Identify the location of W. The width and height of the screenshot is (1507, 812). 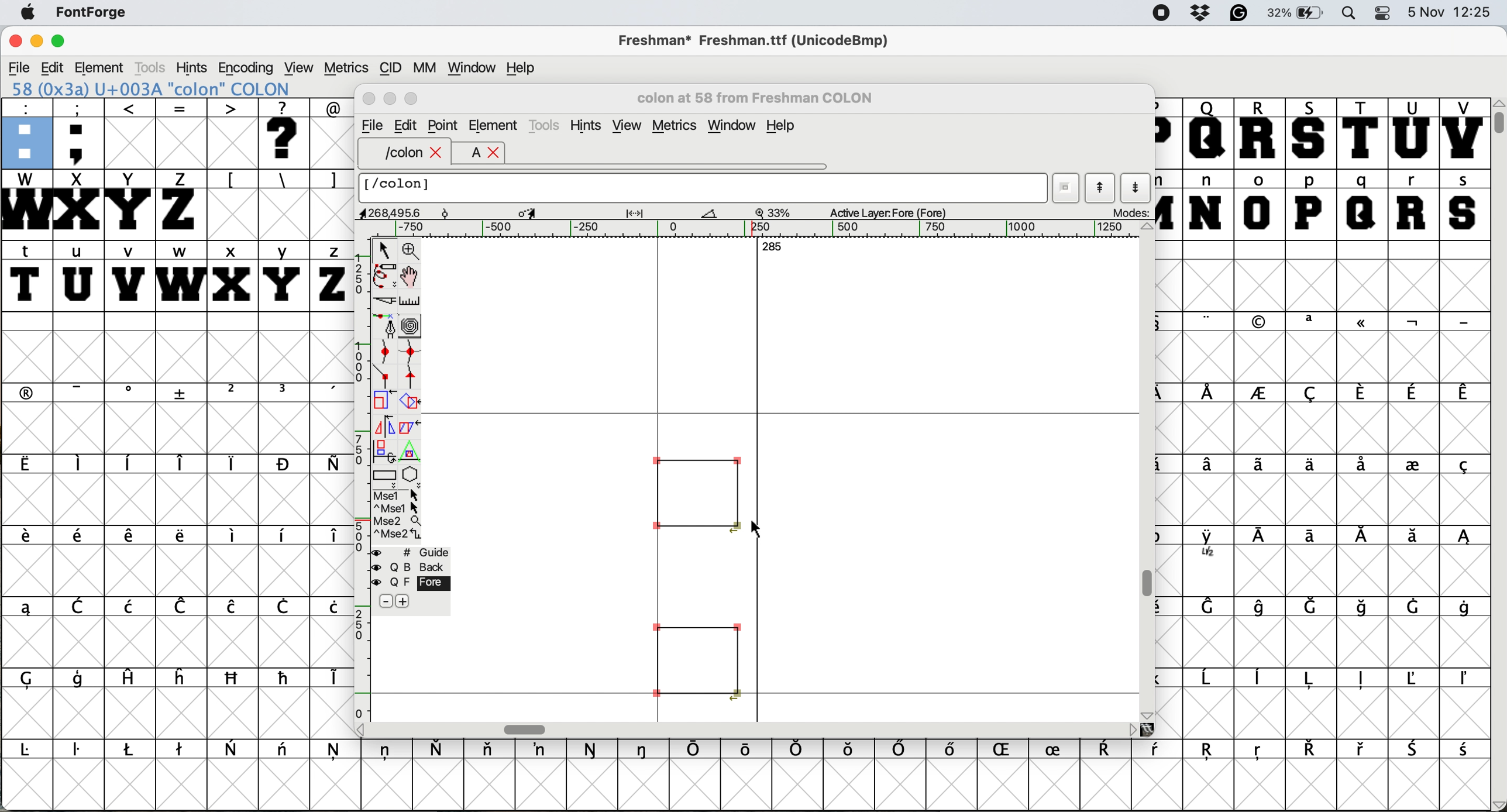
(25, 204).